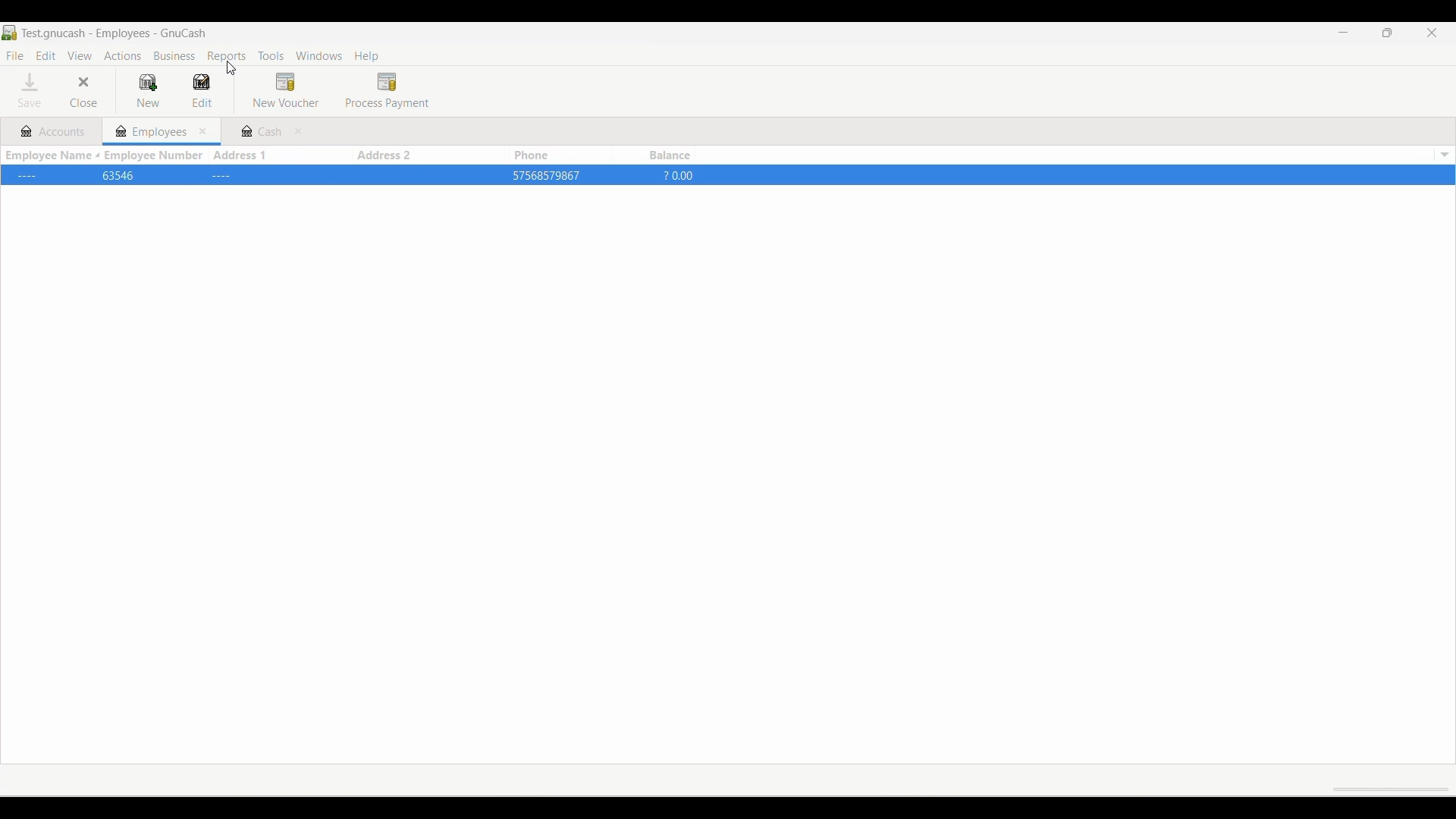 This screenshot has height=819, width=1456. Describe the element at coordinates (52, 155) in the screenshot. I see `Sort employee name` at that location.